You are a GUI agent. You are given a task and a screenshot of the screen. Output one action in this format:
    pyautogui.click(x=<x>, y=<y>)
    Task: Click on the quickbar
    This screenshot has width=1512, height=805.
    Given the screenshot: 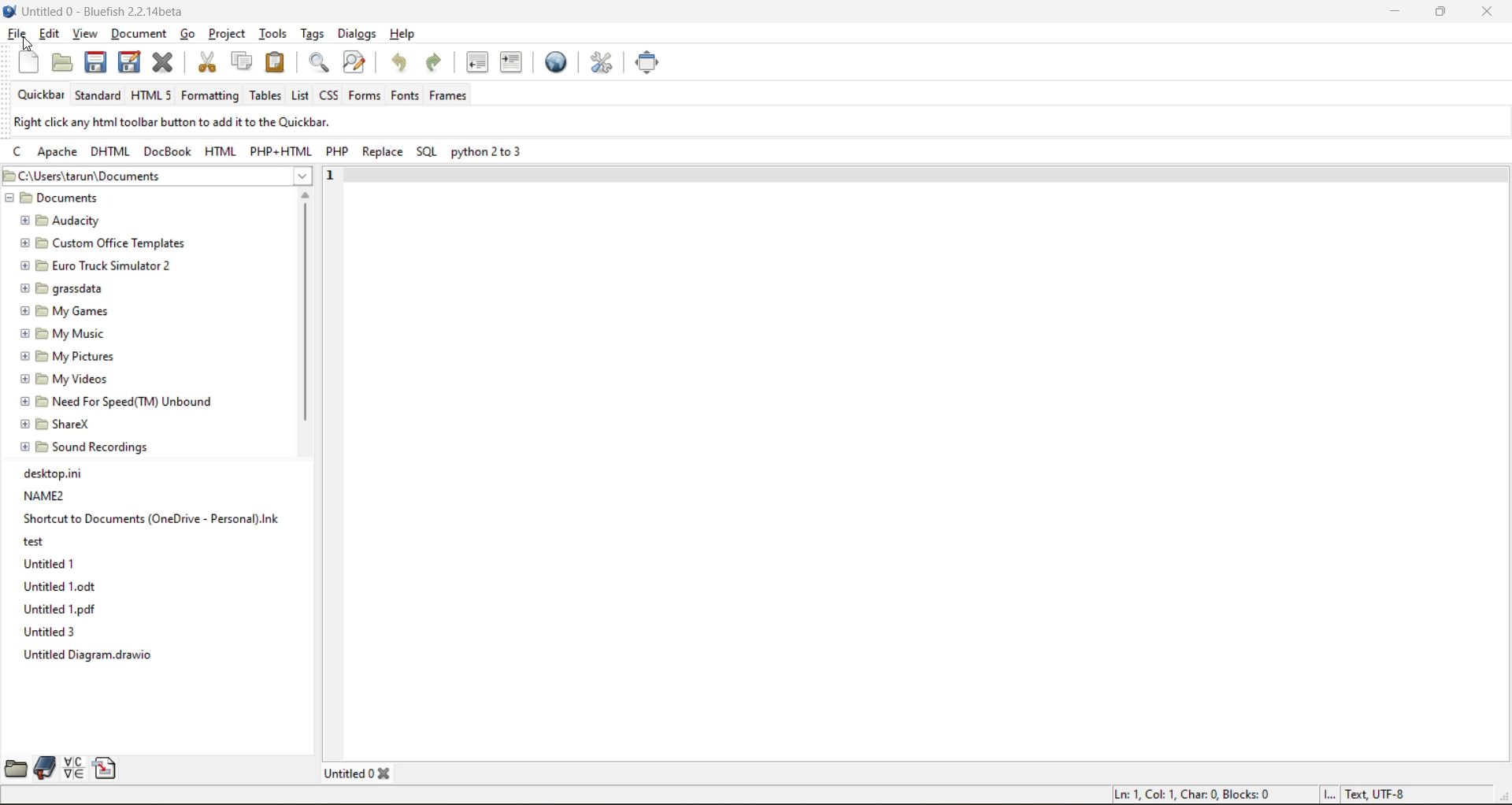 What is the action you would take?
    pyautogui.click(x=45, y=95)
    